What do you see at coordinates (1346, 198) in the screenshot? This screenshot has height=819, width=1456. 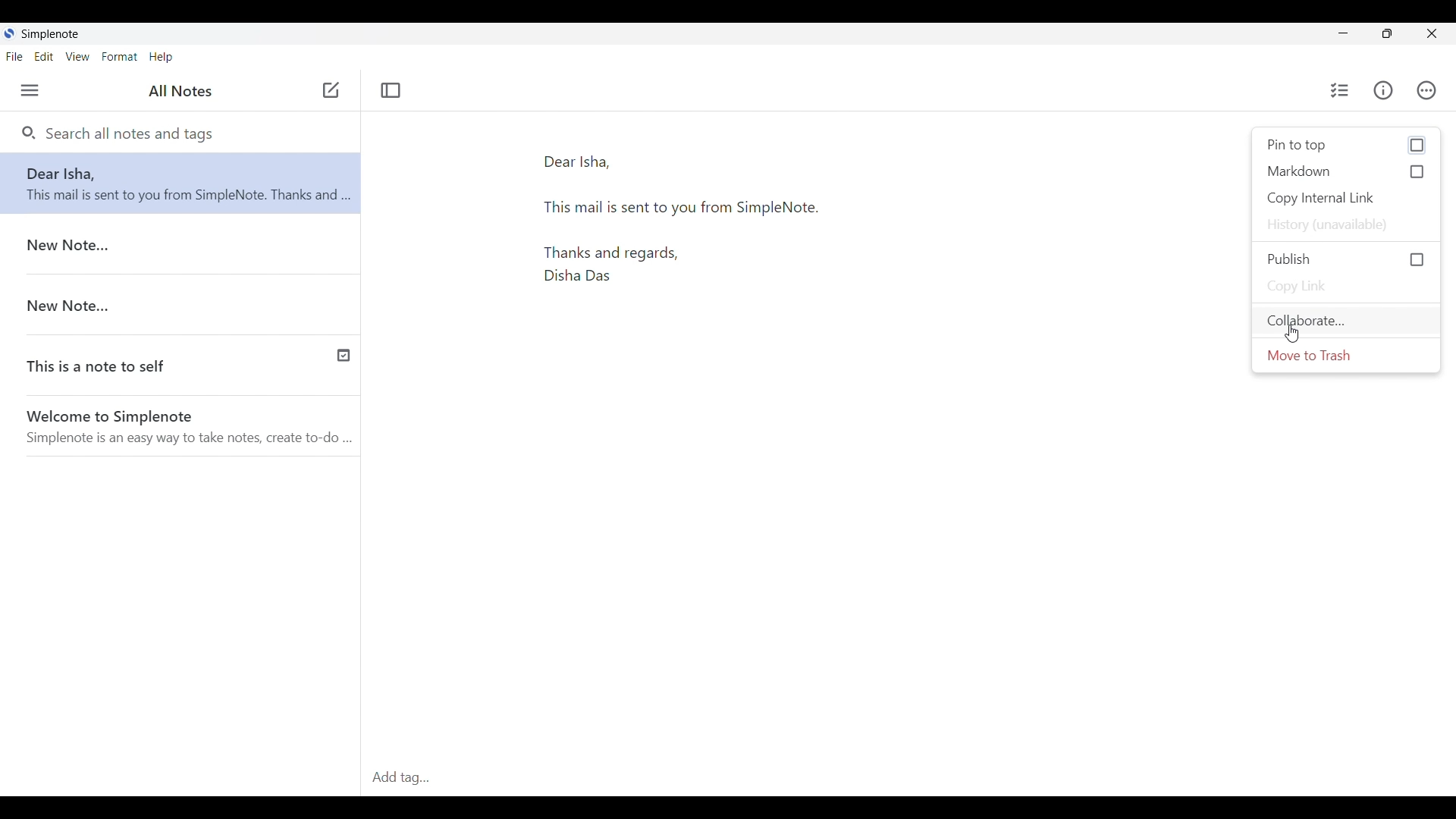 I see `Copy internal link` at bounding box center [1346, 198].